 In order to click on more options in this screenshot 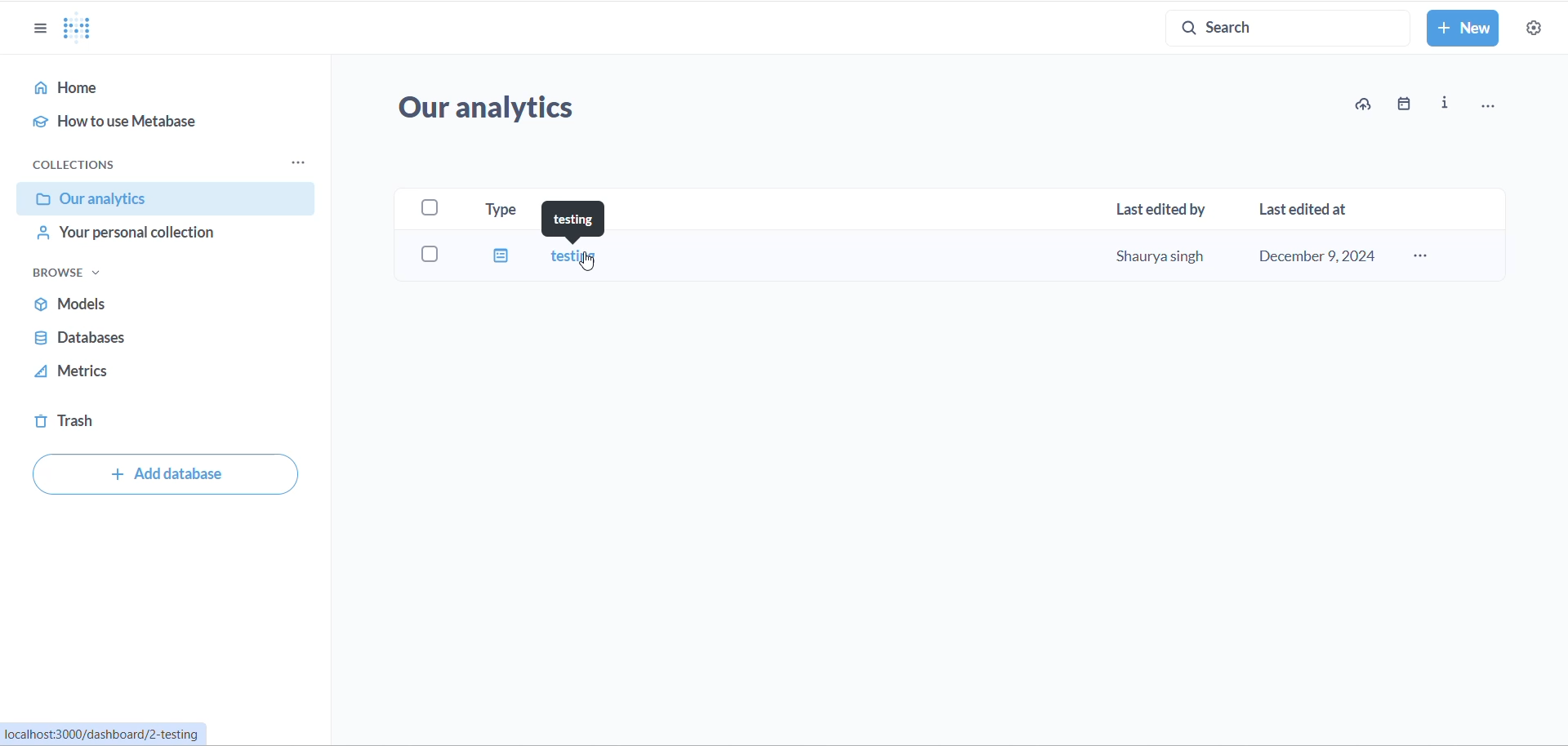, I will do `click(1423, 258)`.